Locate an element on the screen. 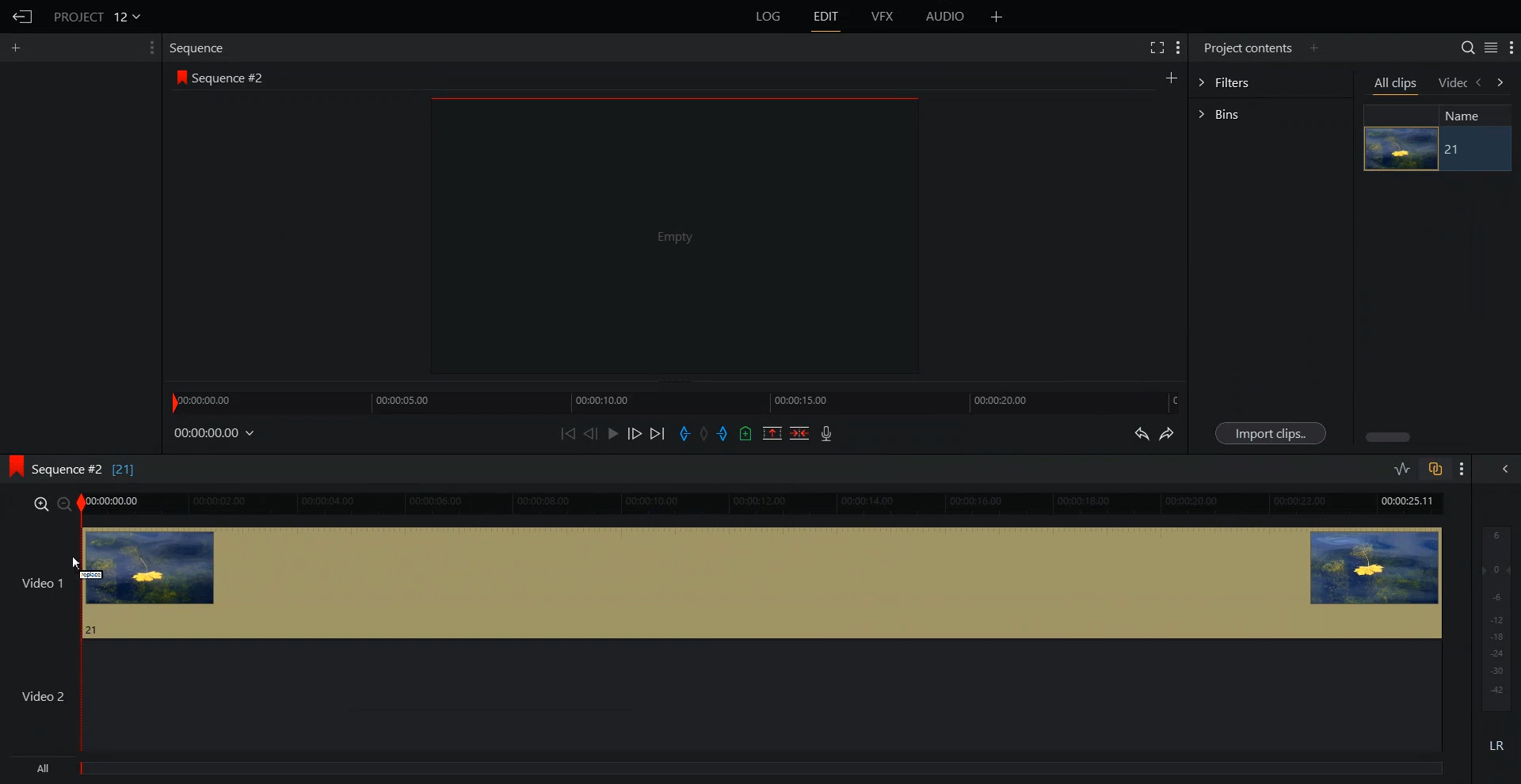  Toggle between list and tile view is located at coordinates (1490, 47).